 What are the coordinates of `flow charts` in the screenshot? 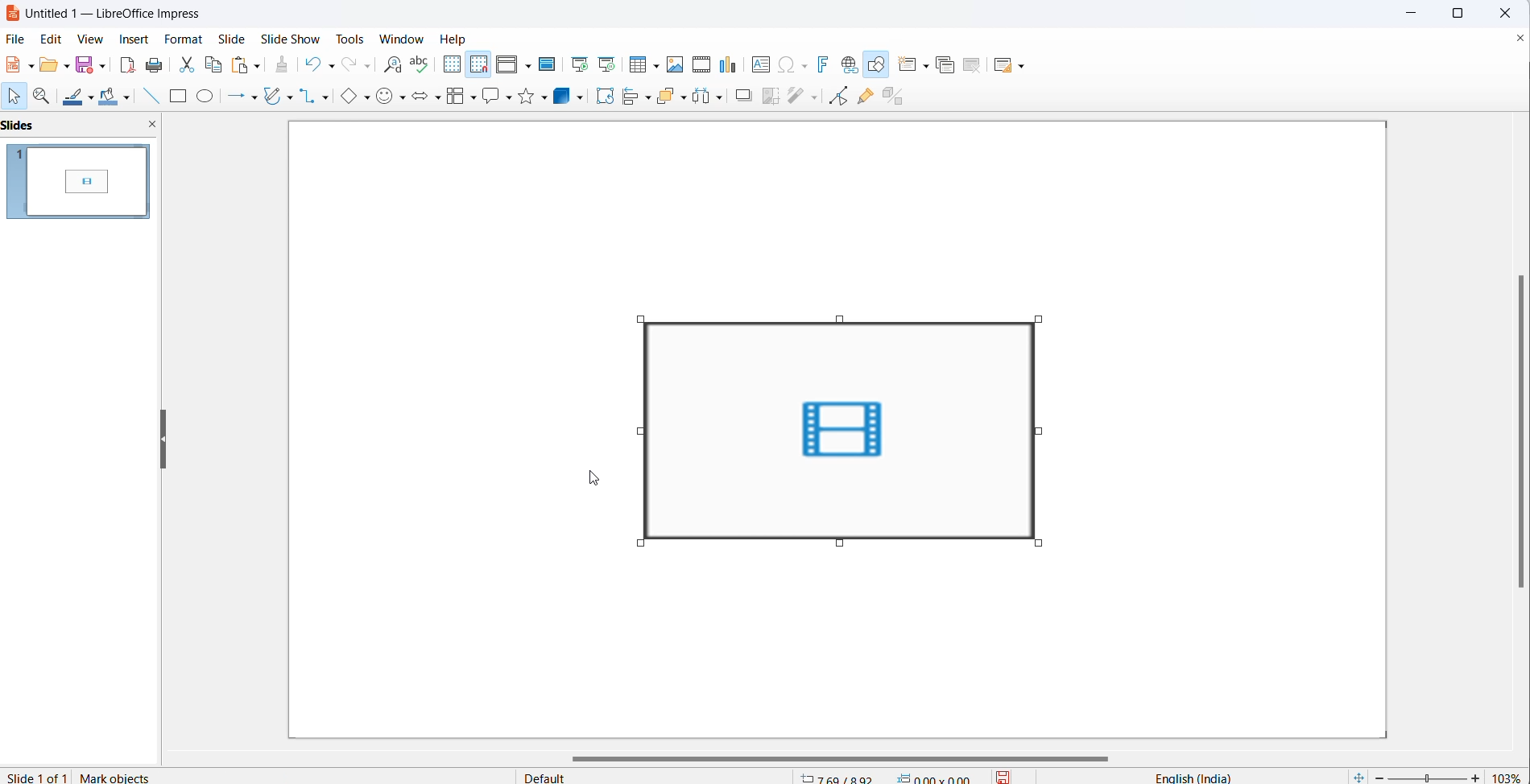 It's located at (457, 97).